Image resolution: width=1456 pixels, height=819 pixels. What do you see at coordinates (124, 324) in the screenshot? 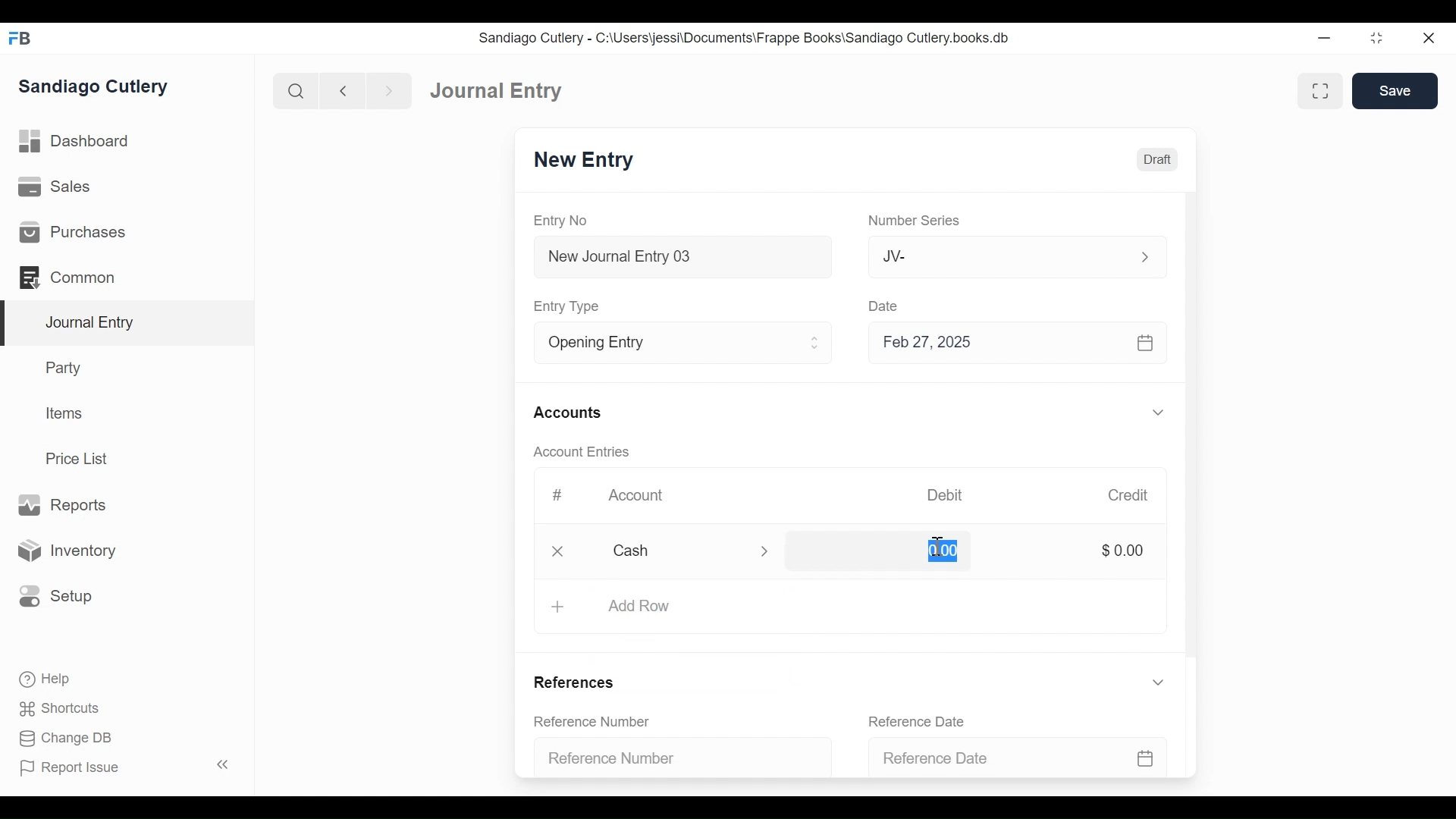
I see `Journal Entry` at bounding box center [124, 324].